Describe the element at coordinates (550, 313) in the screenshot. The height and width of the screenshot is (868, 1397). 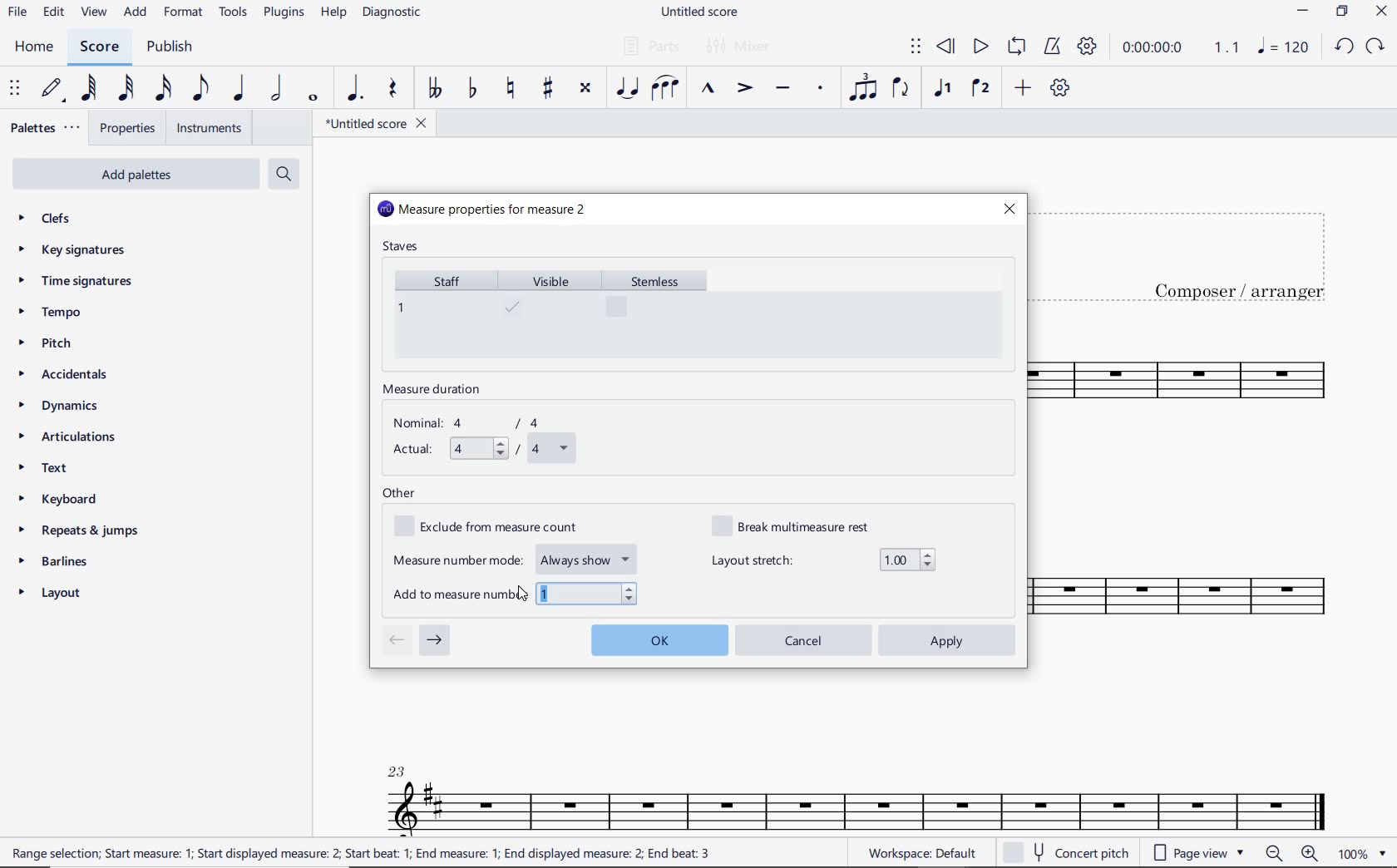
I see `visible` at that location.